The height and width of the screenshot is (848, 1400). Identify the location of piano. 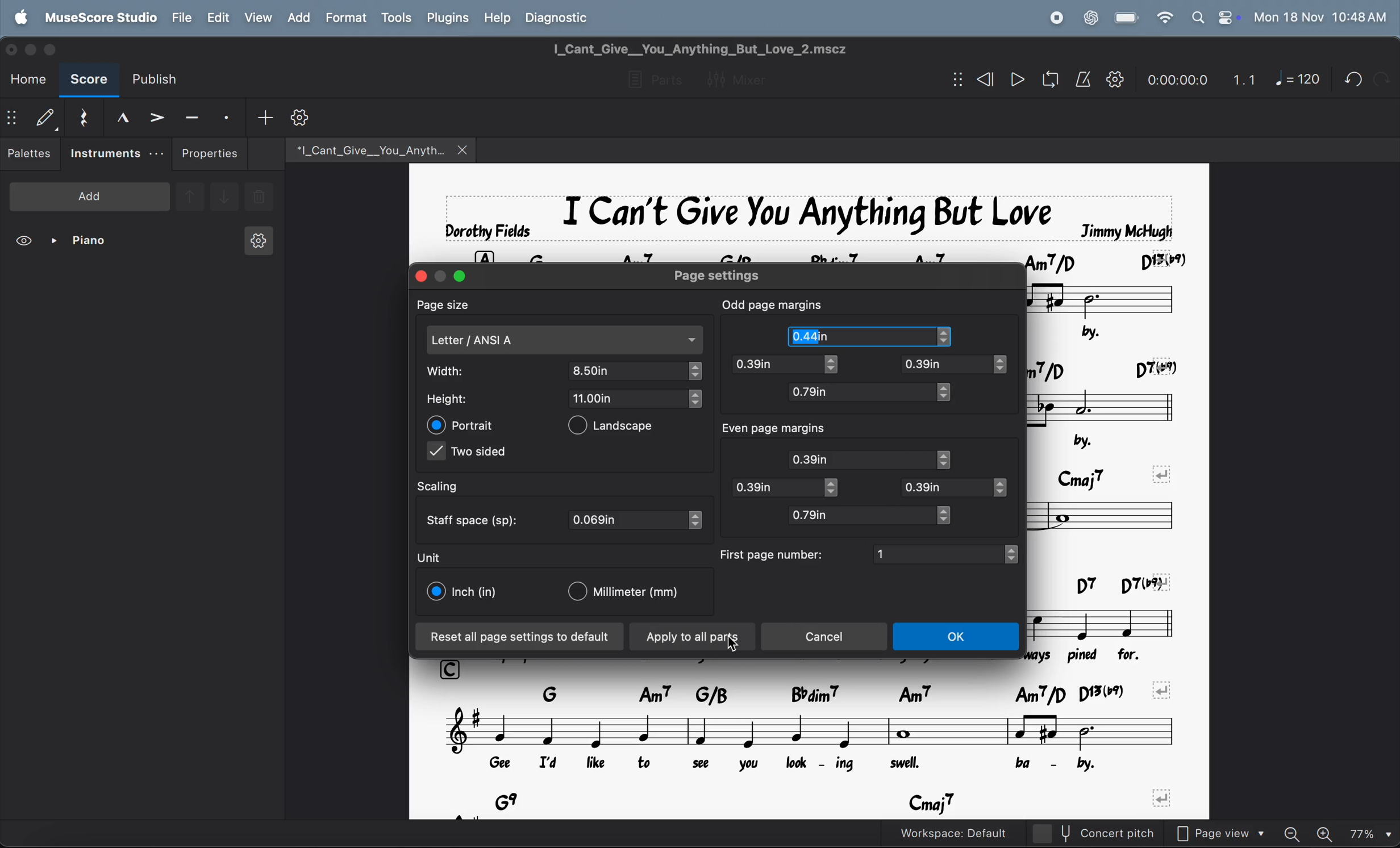
(84, 243).